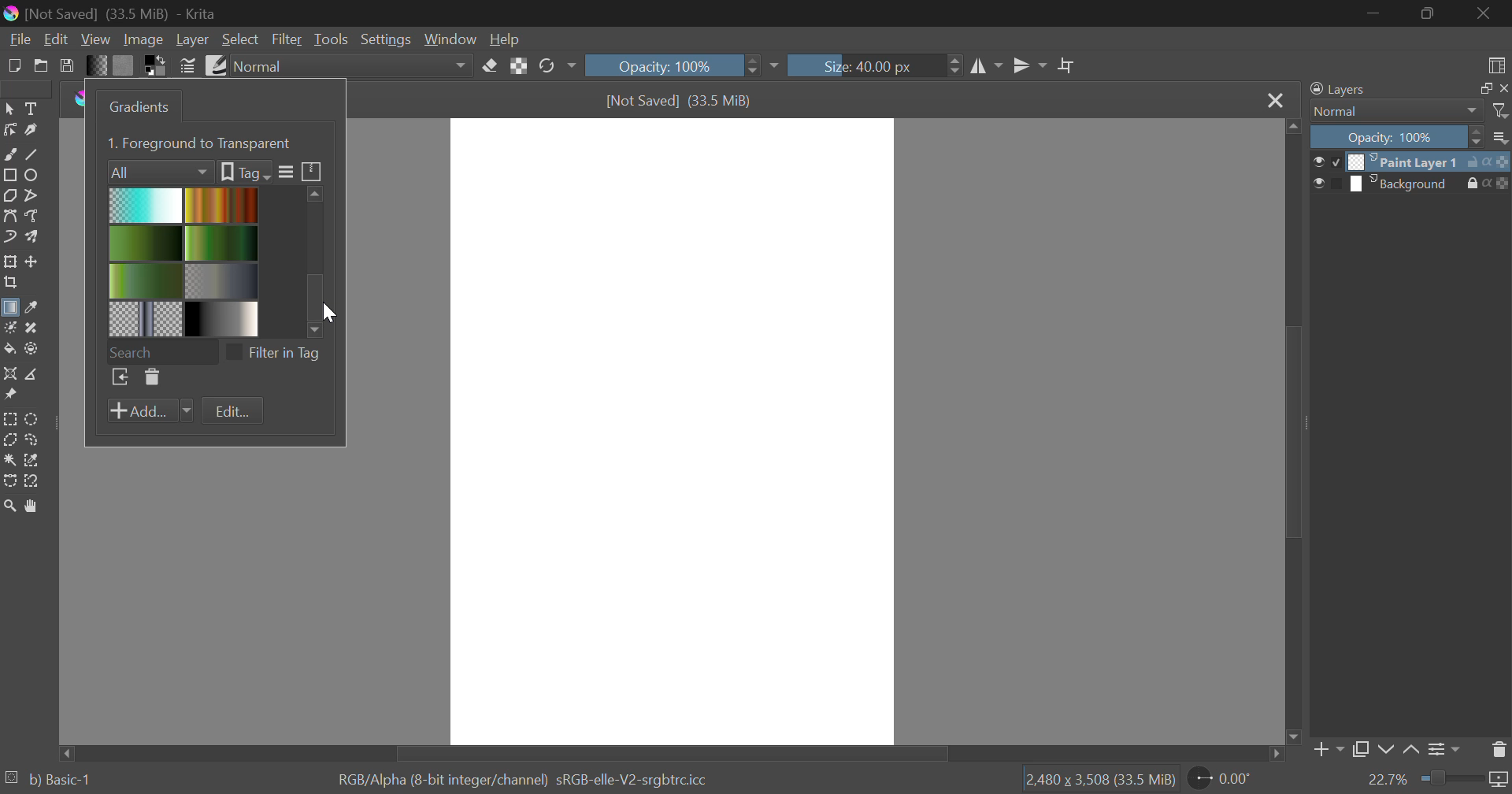 This screenshot has width=1512, height=794. What do you see at coordinates (1099, 779) in the screenshot?
I see `12,480 x 3,508 (33.5 MiB)` at bounding box center [1099, 779].